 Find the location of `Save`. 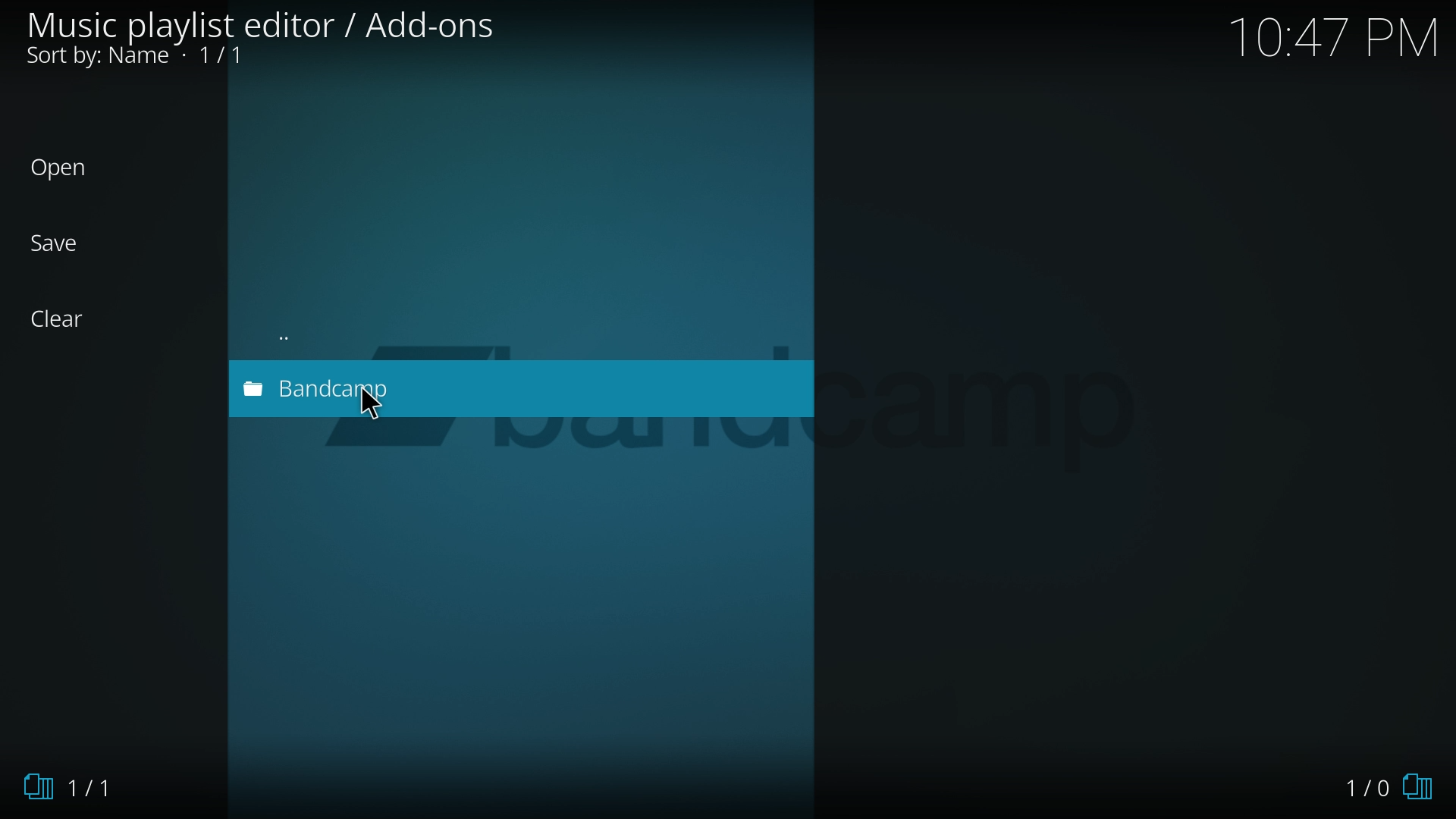

Save is located at coordinates (71, 243).